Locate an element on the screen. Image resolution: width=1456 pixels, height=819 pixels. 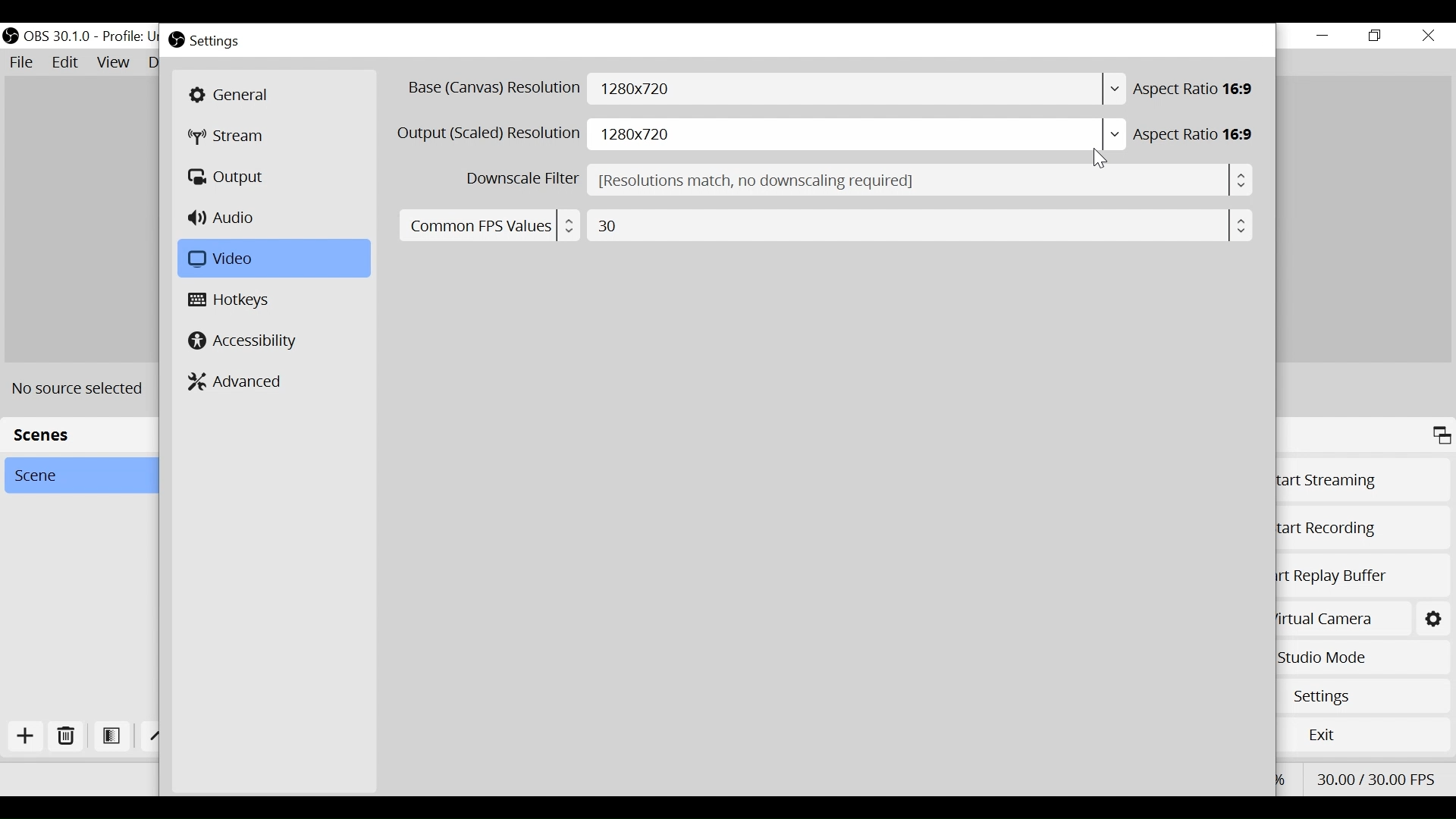
Hotkeys is located at coordinates (233, 301).